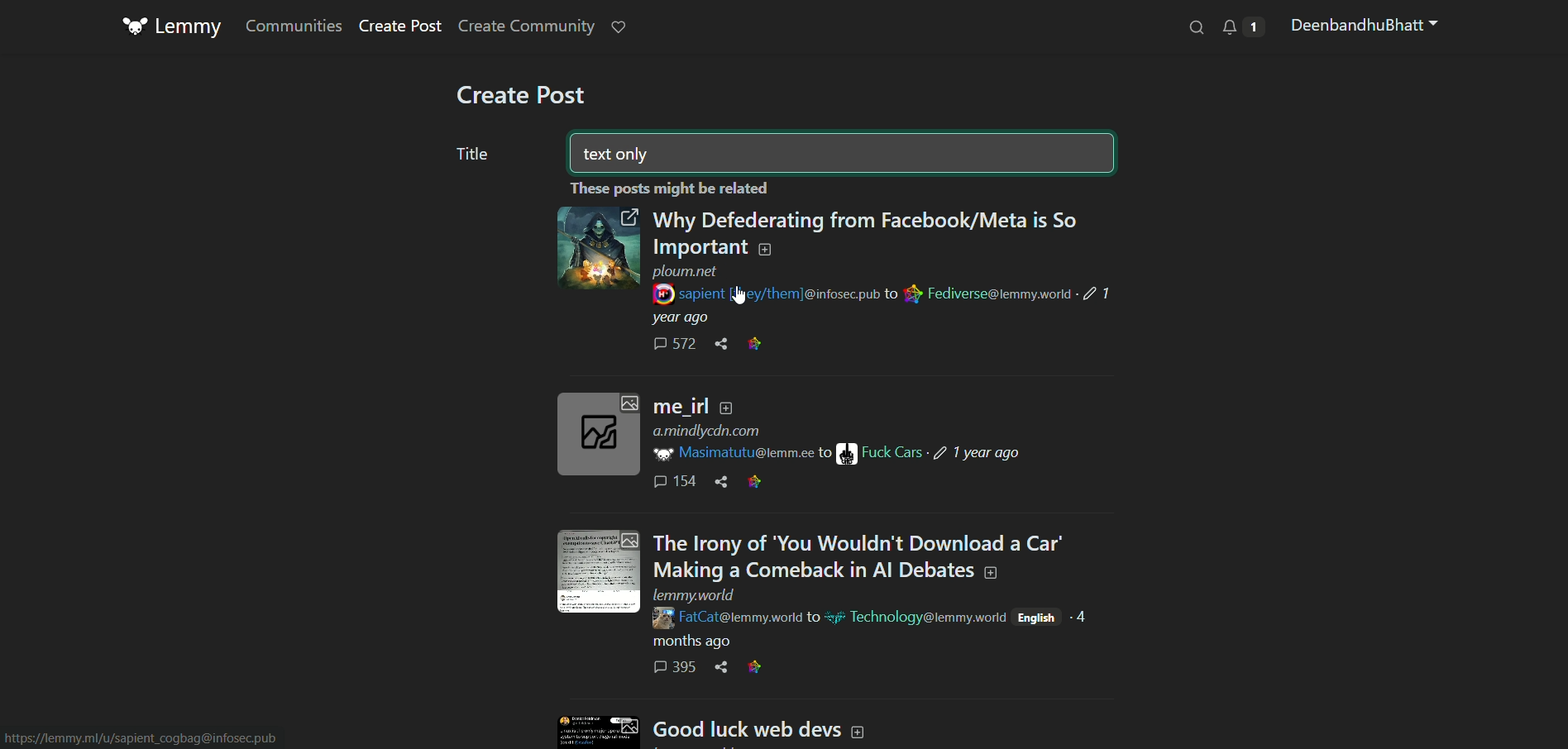 Image resolution: width=1568 pixels, height=749 pixels. What do you see at coordinates (912, 293) in the screenshot?
I see `Link` at bounding box center [912, 293].